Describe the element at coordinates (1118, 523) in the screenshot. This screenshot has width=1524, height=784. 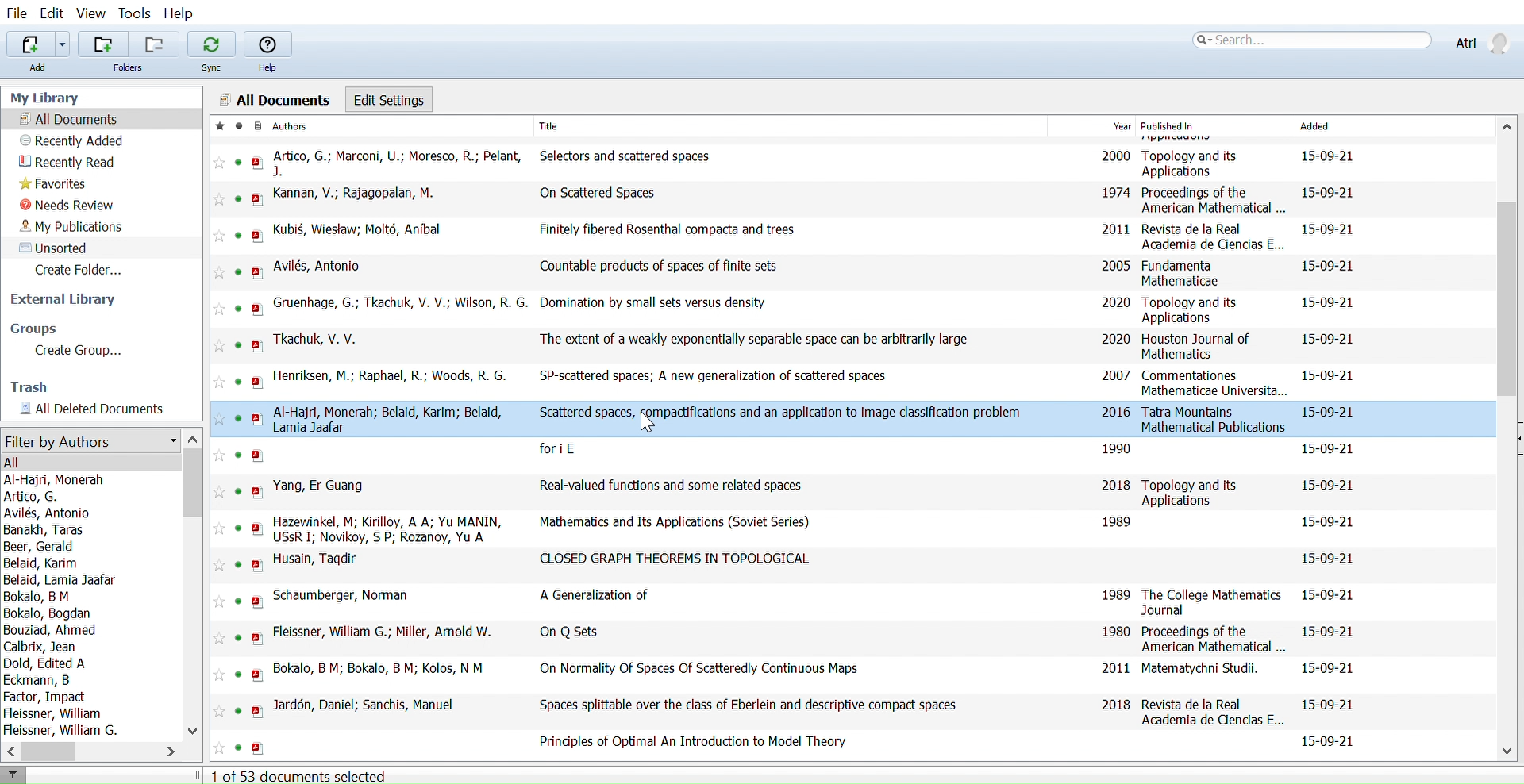
I see `1989` at that location.